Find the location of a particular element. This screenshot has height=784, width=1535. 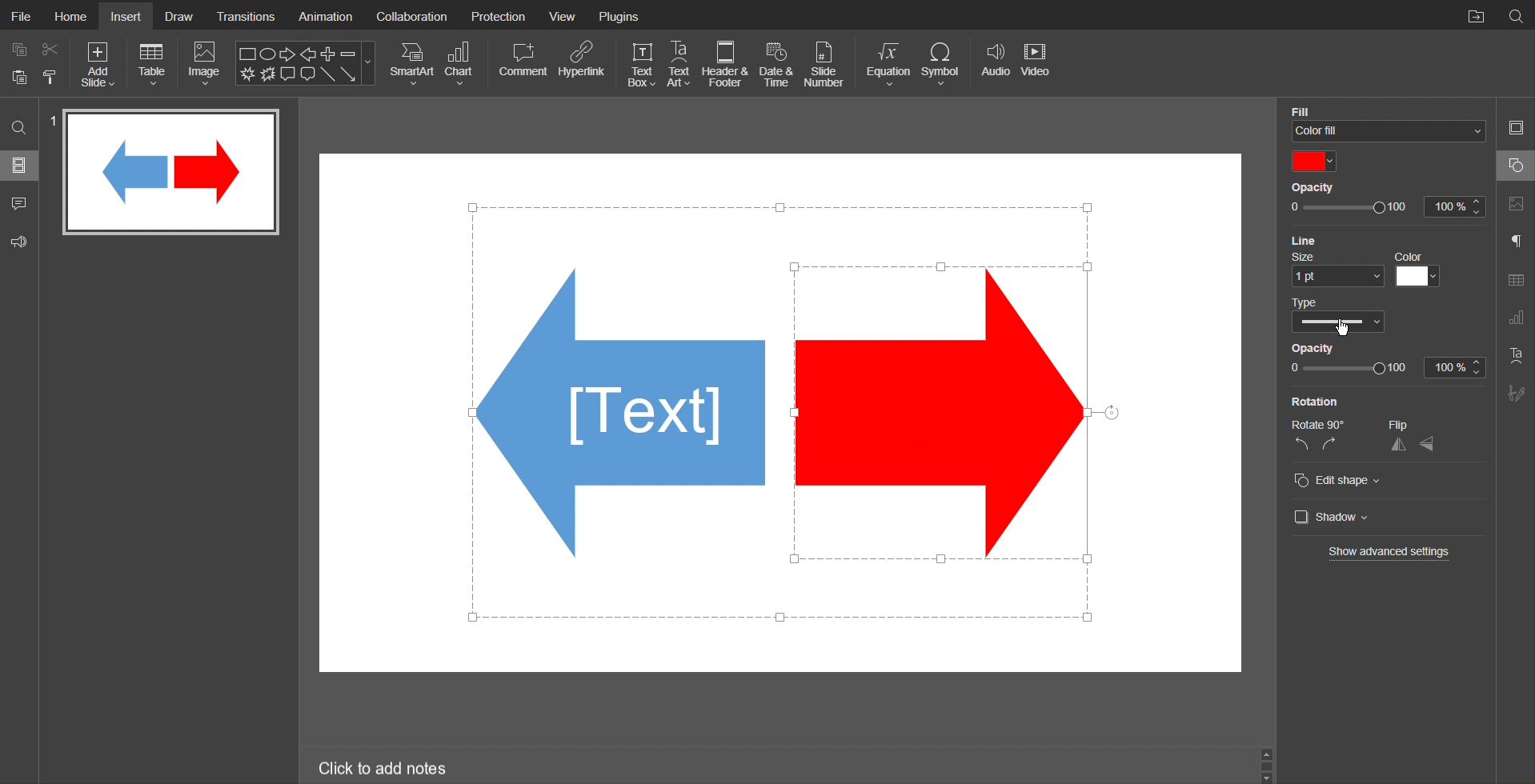

Collaboration is located at coordinates (412, 15).